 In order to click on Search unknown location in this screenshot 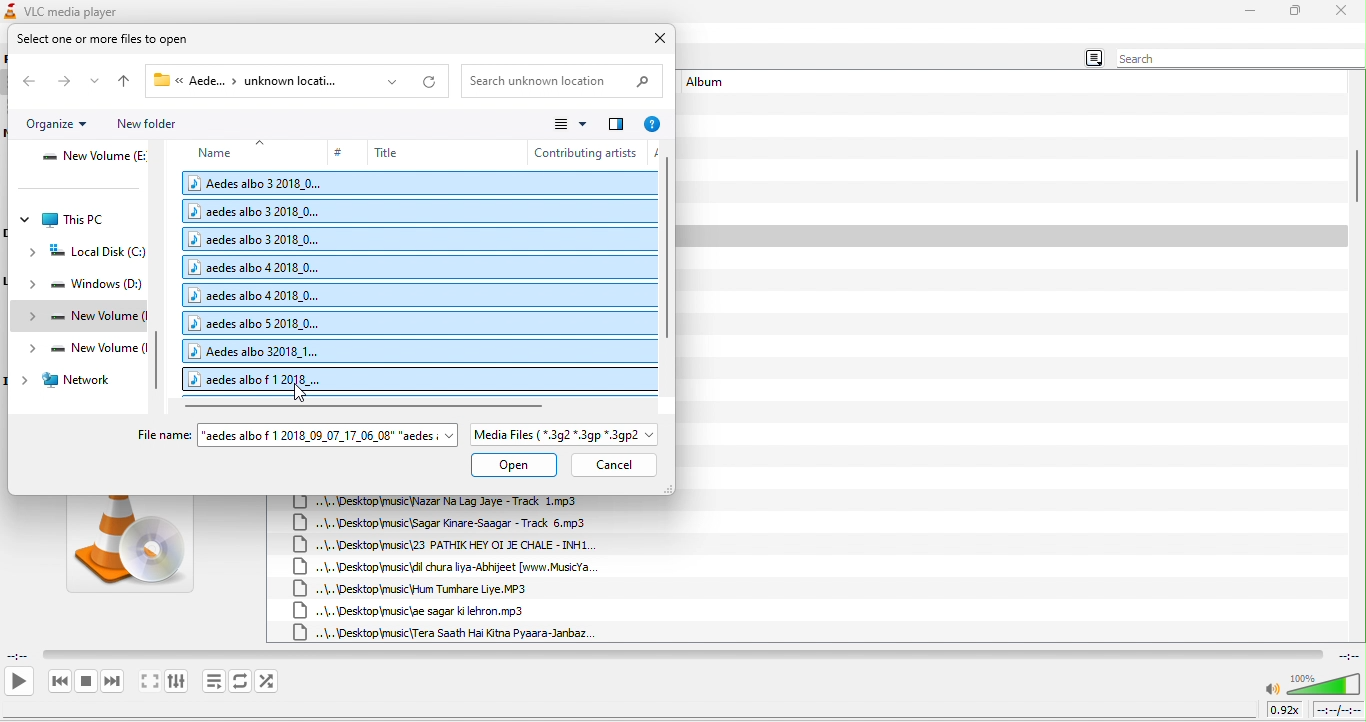, I will do `click(562, 81)`.